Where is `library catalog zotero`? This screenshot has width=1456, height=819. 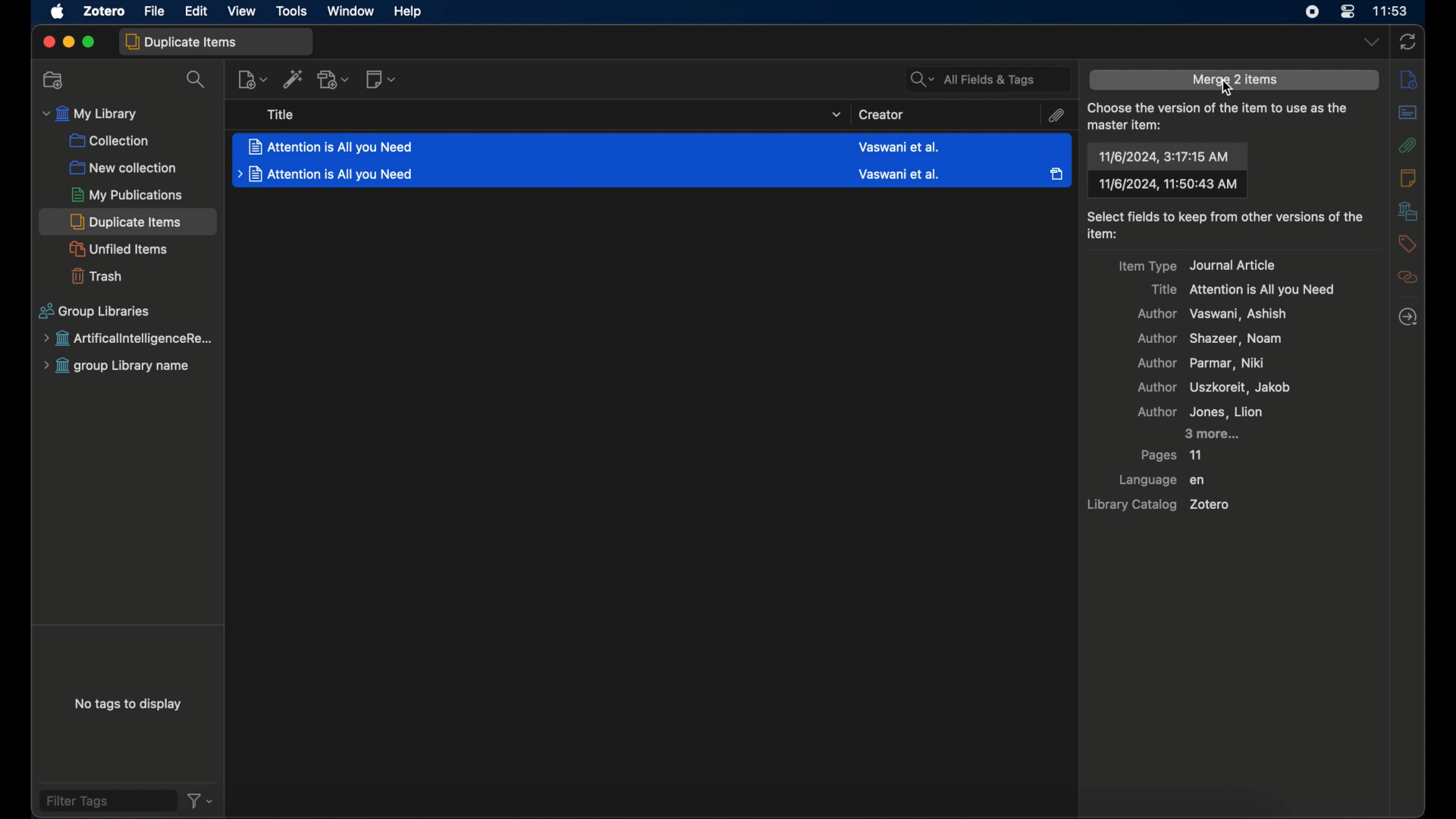
library catalog zotero is located at coordinates (1157, 505).